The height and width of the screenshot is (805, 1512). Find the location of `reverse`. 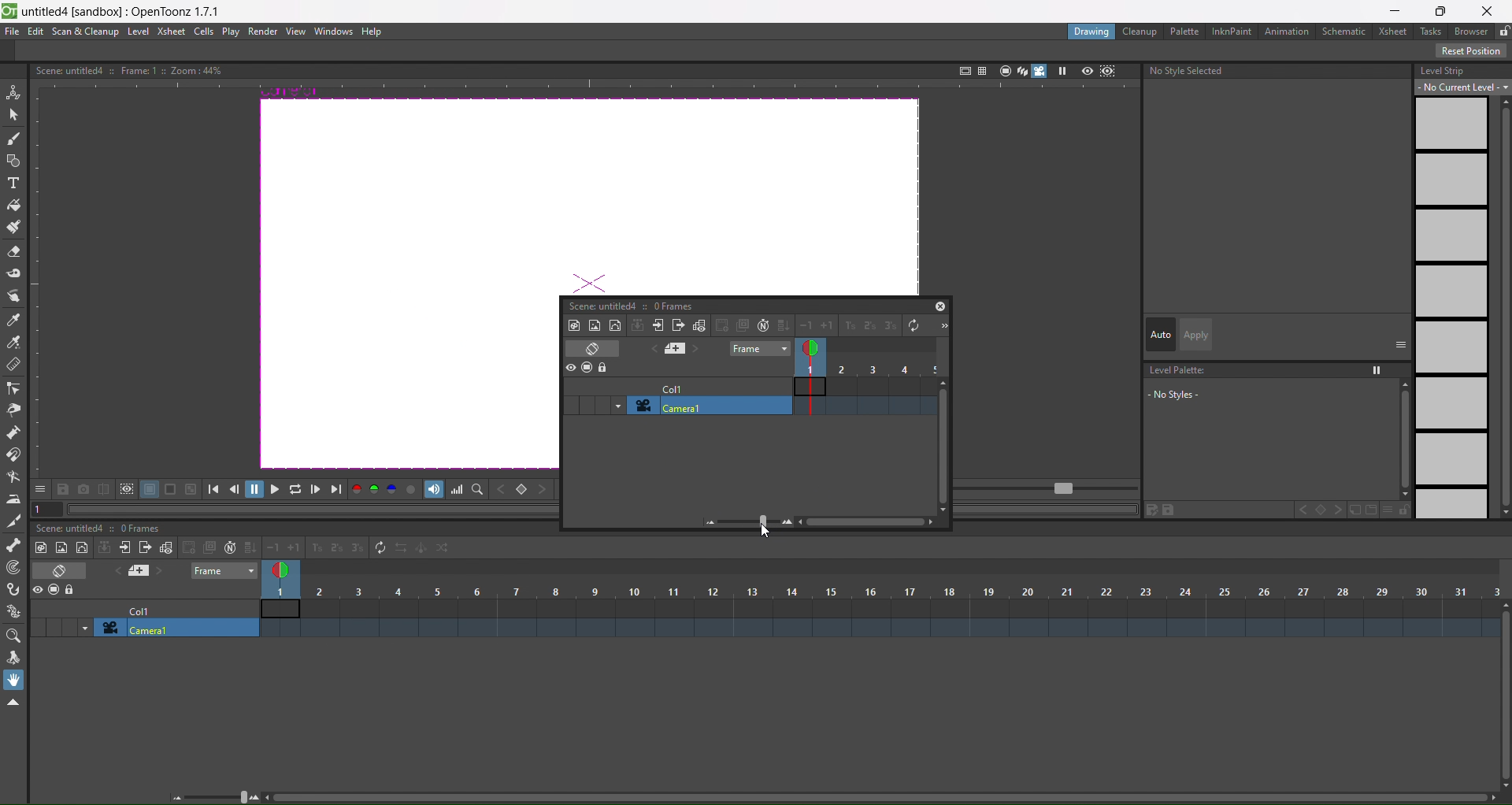

reverse is located at coordinates (400, 549).